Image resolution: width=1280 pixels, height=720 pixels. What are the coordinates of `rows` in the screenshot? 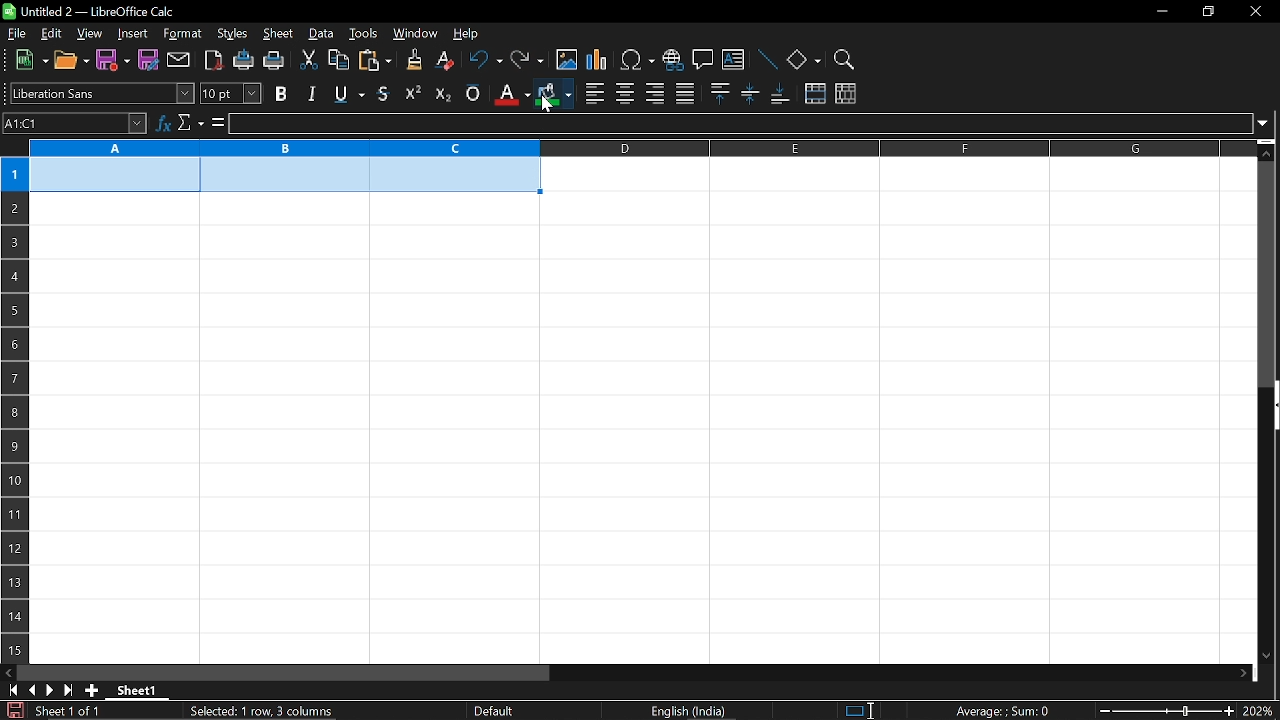 It's located at (12, 387).